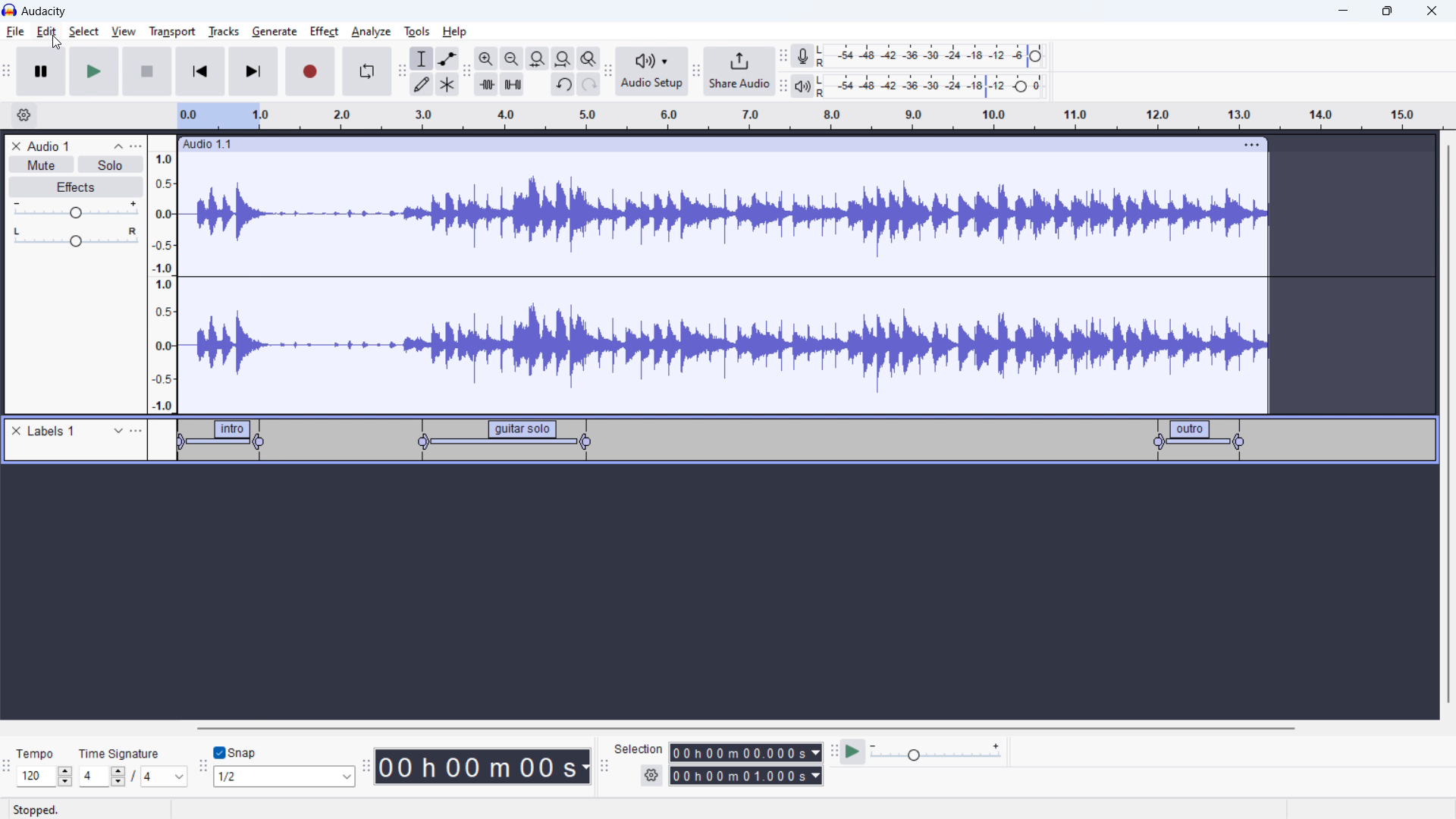 The width and height of the screenshot is (1456, 819). Describe the element at coordinates (369, 33) in the screenshot. I see `analyze` at that location.